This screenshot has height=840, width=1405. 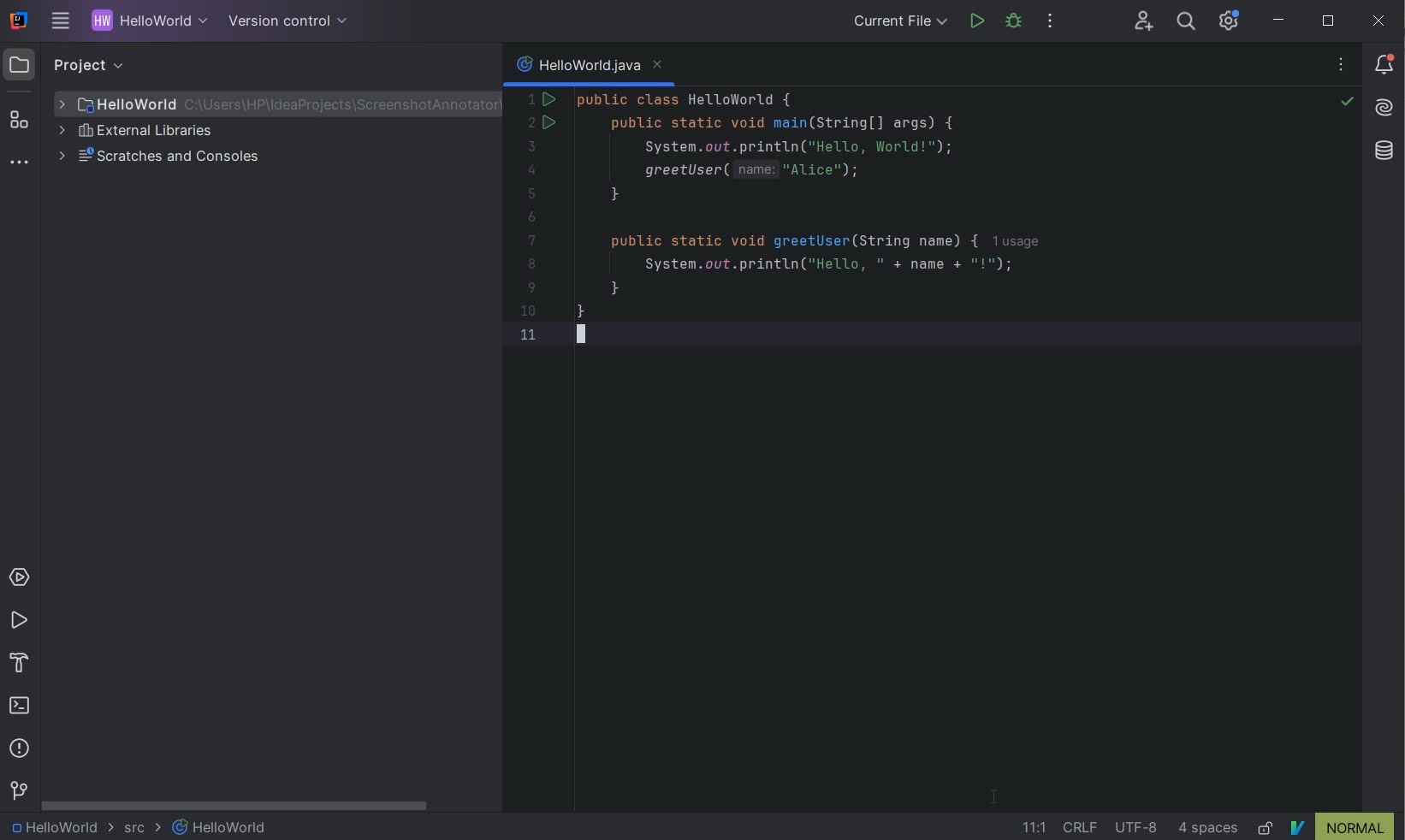 What do you see at coordinates (270, 104) in the screenshot?
I see `FILE NAME` at bounding box center [270, 104].